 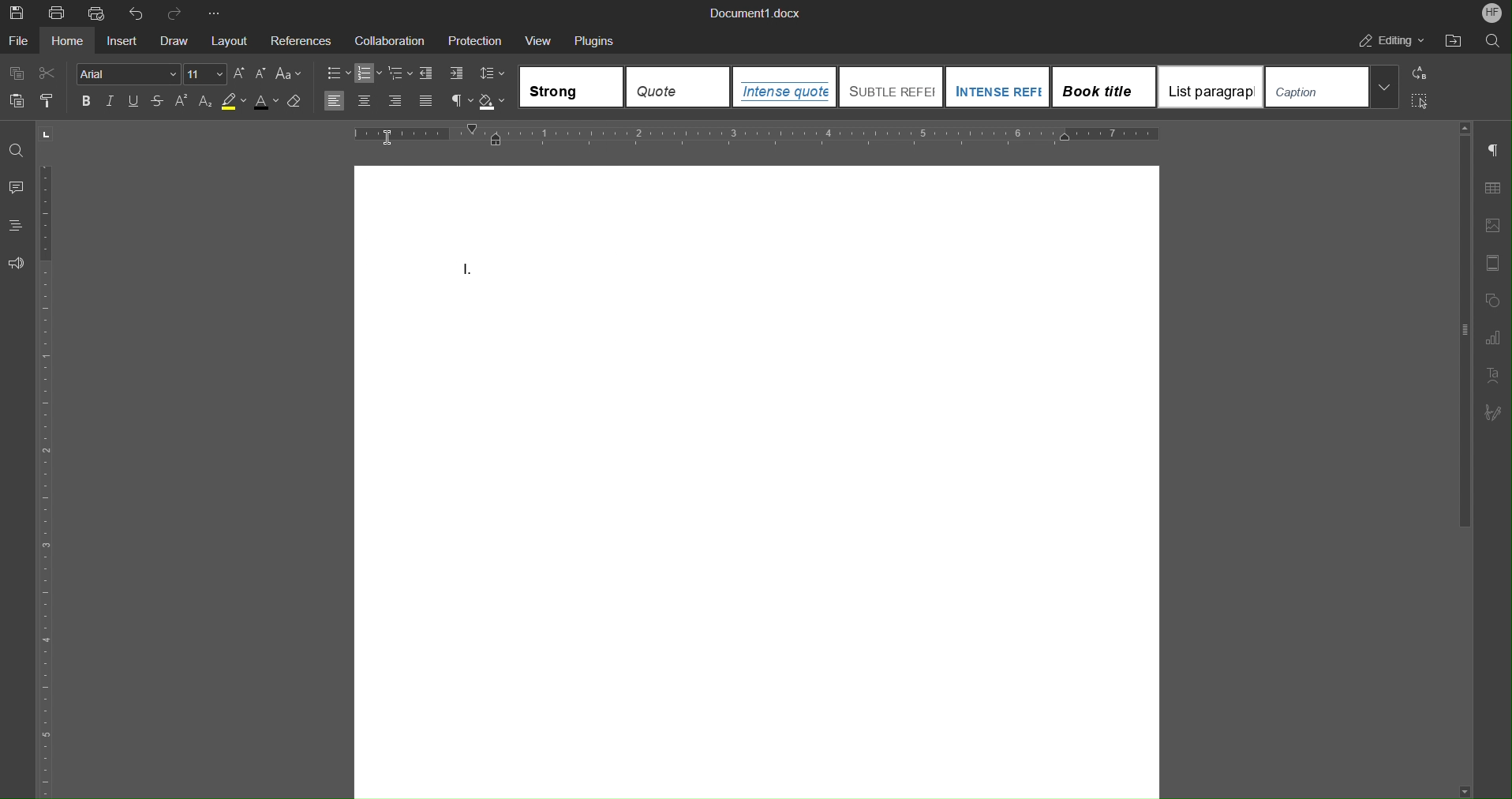 What do you see at coordinates (489, 74) in the screenshot?
I see `Line Spacing ` at bounding box center [489, 74].